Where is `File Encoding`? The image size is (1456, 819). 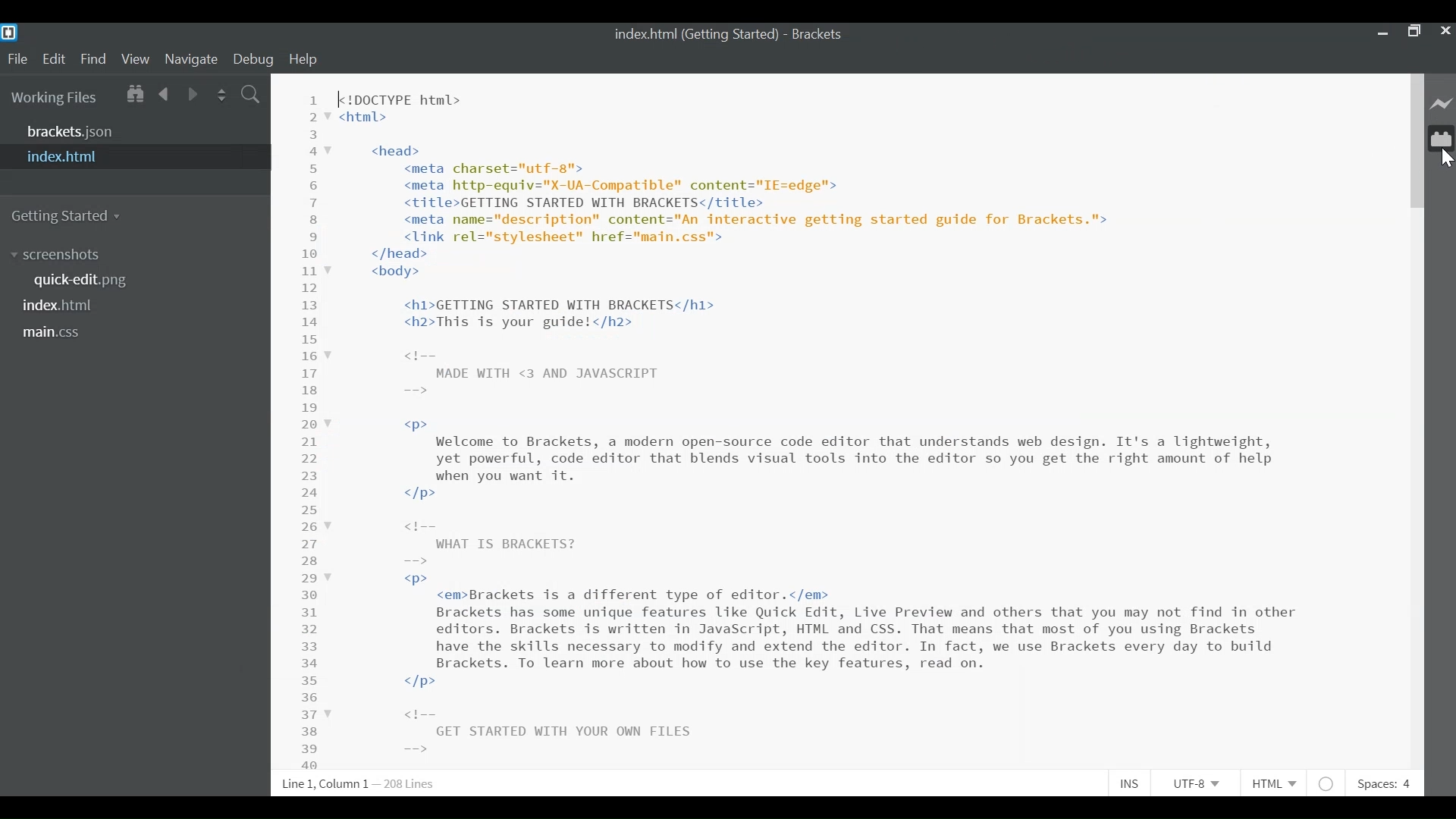
File Encoding is located at coordinates (1193, 783).